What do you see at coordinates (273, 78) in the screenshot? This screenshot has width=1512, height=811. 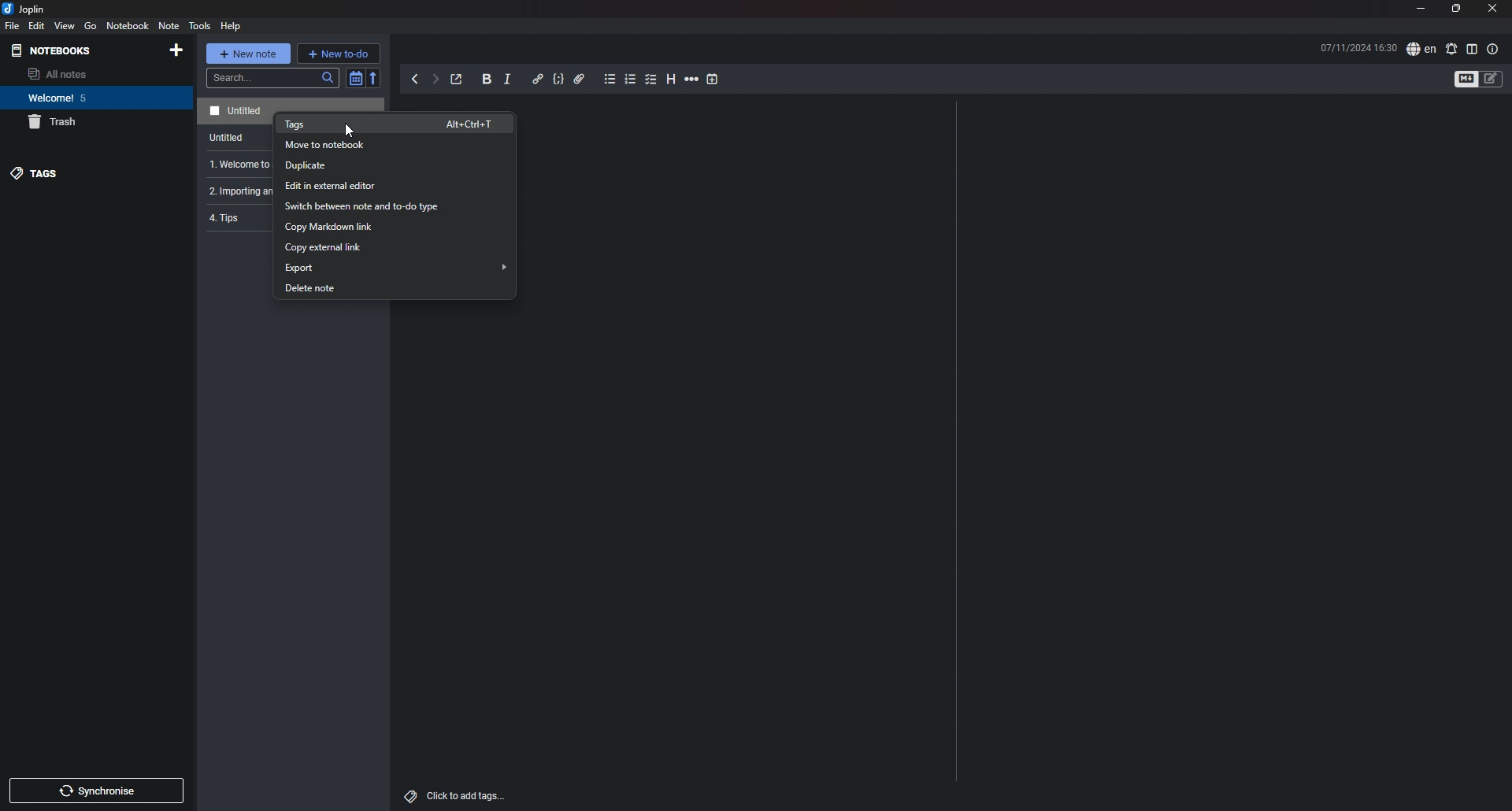 I see `search` at bounding box center [273, 78].